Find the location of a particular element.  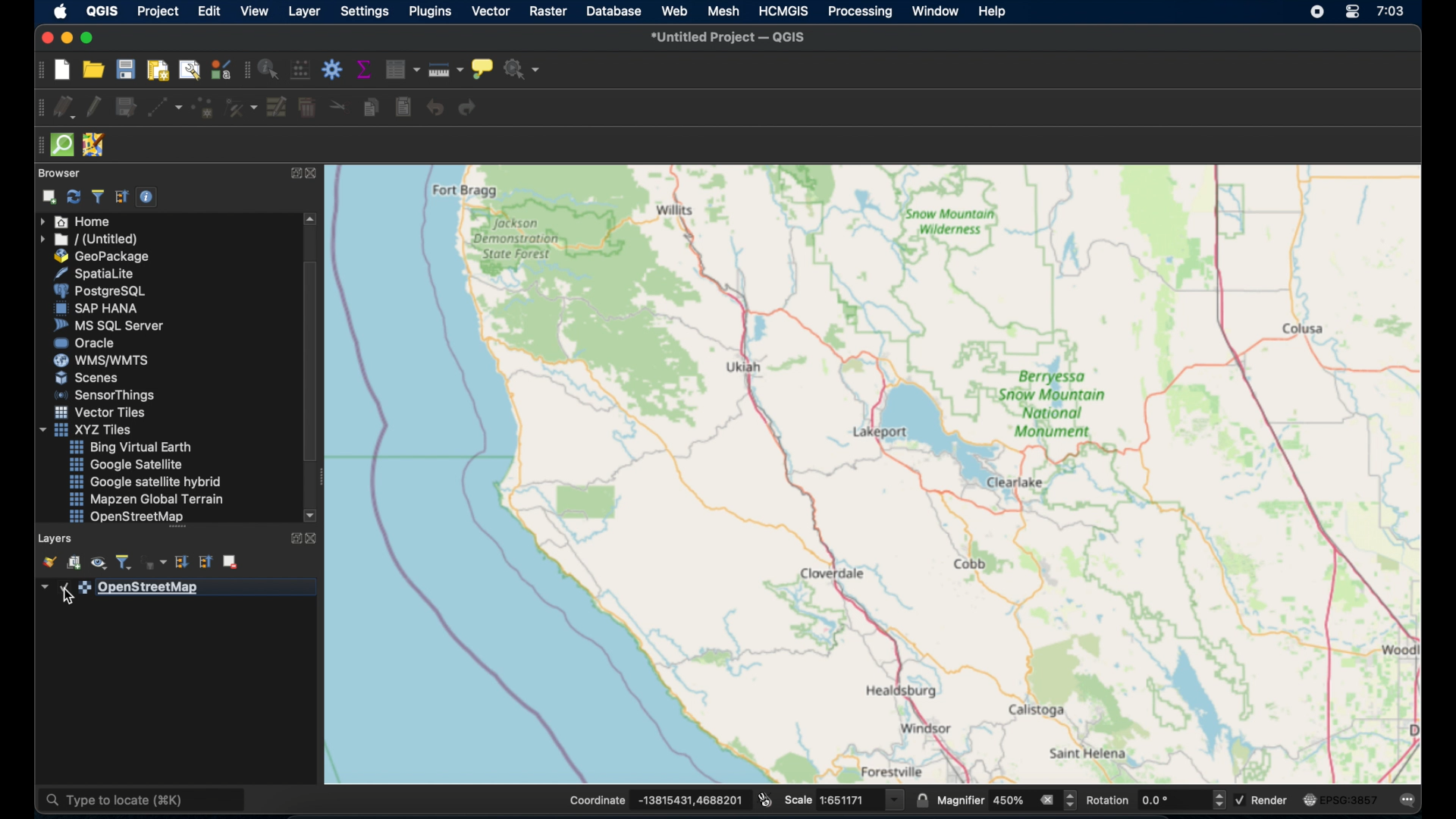

measure line is located at coordinates (446, 69).